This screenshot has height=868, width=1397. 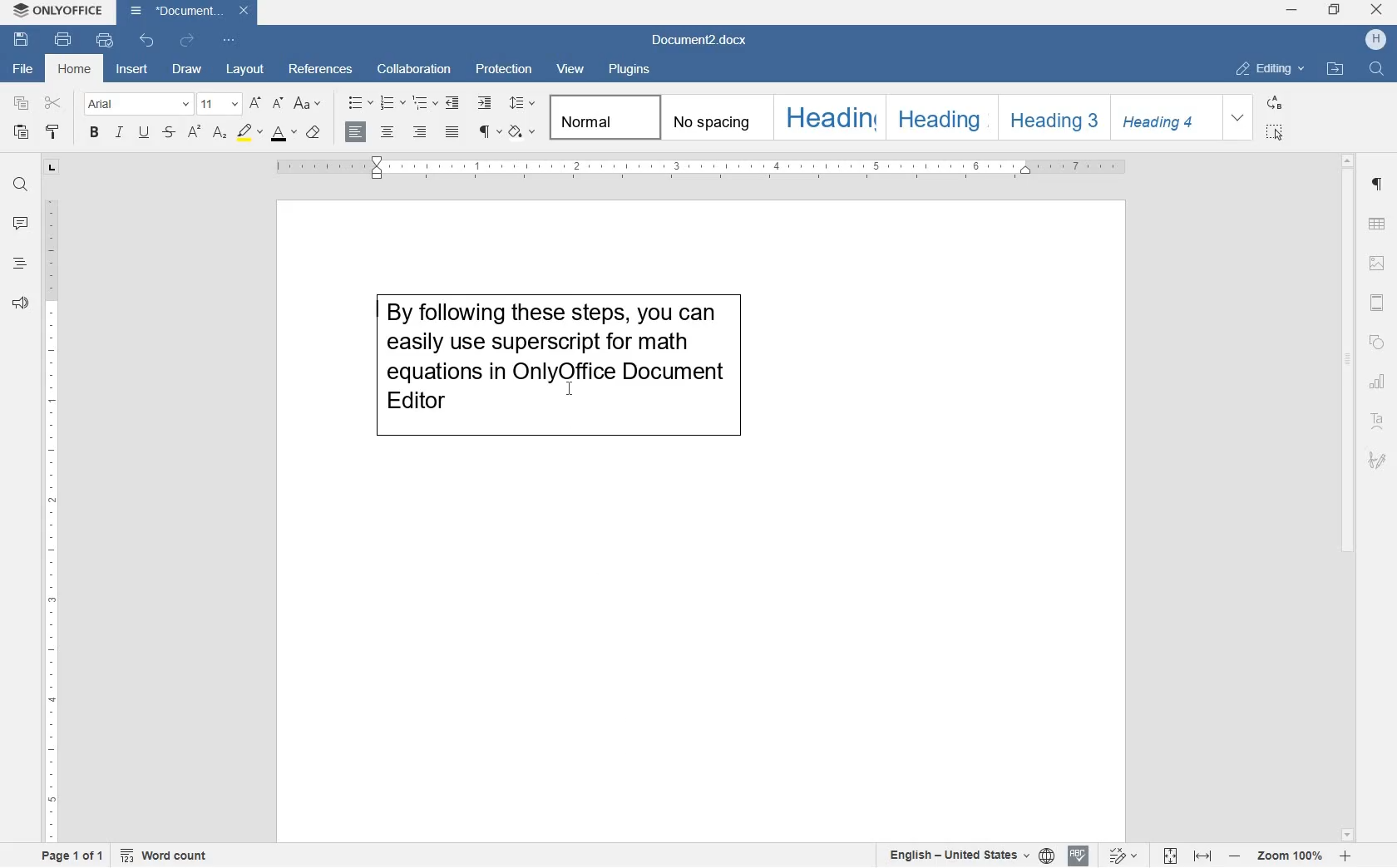 What do you see at coordinates (58, 11) in the screenshot?
I see `system anme` at bounding box center [58, 11].